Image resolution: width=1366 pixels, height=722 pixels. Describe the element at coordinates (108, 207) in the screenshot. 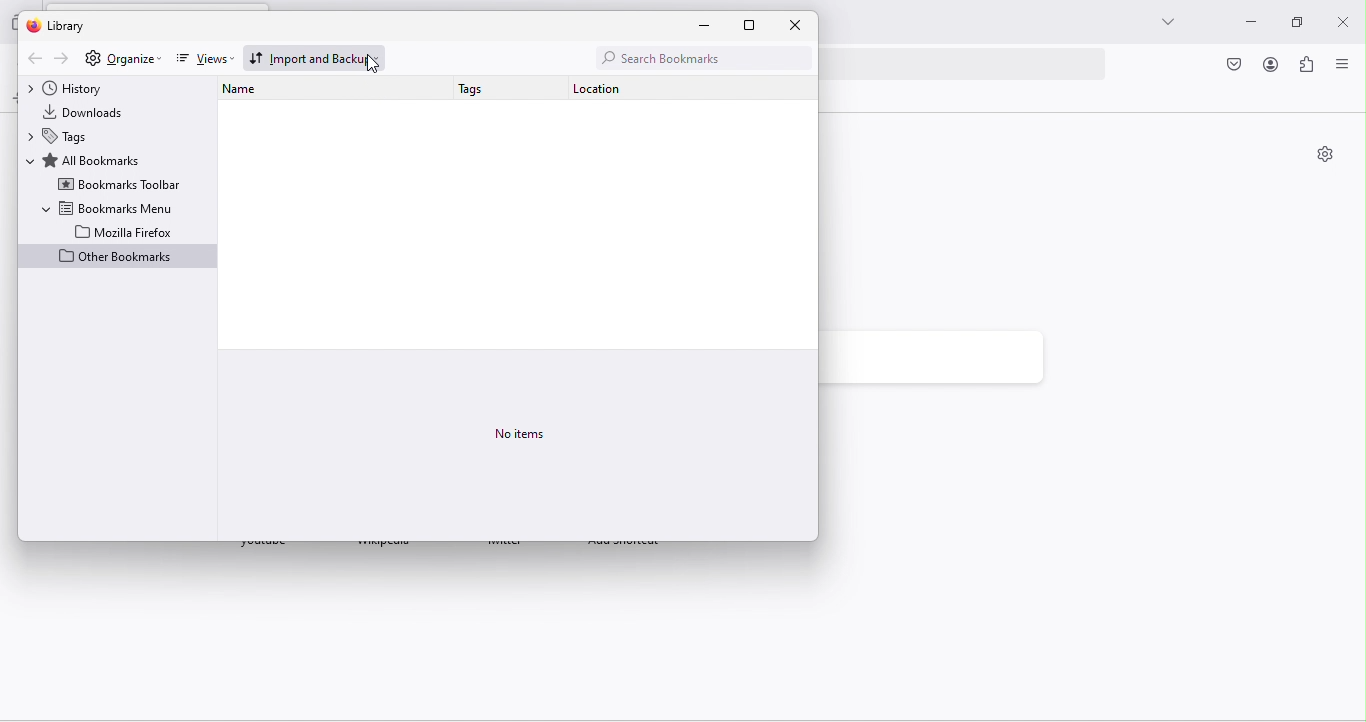

I see `bookmarks menu` at that location.